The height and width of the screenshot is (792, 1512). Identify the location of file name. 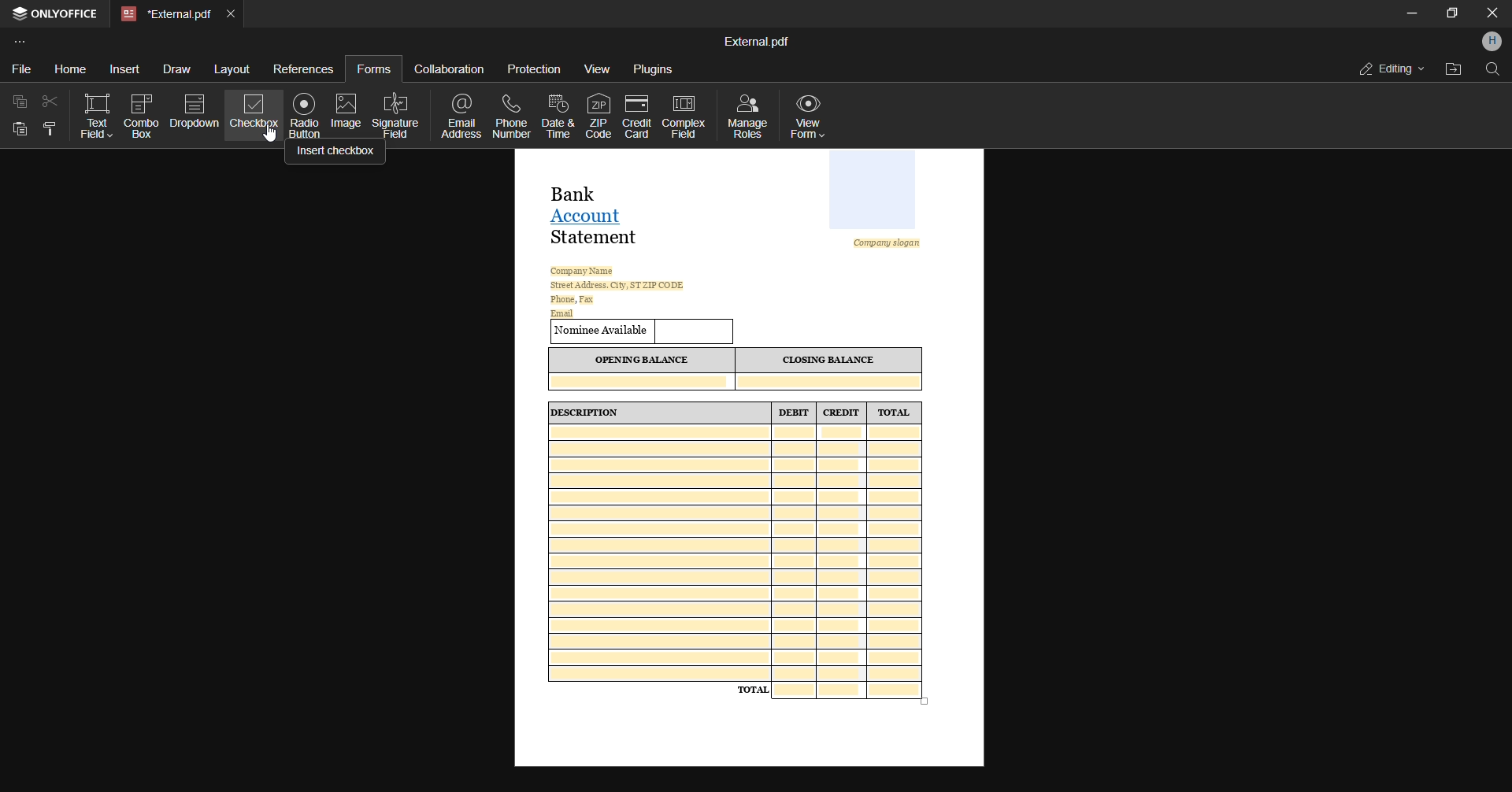
(755, 39).